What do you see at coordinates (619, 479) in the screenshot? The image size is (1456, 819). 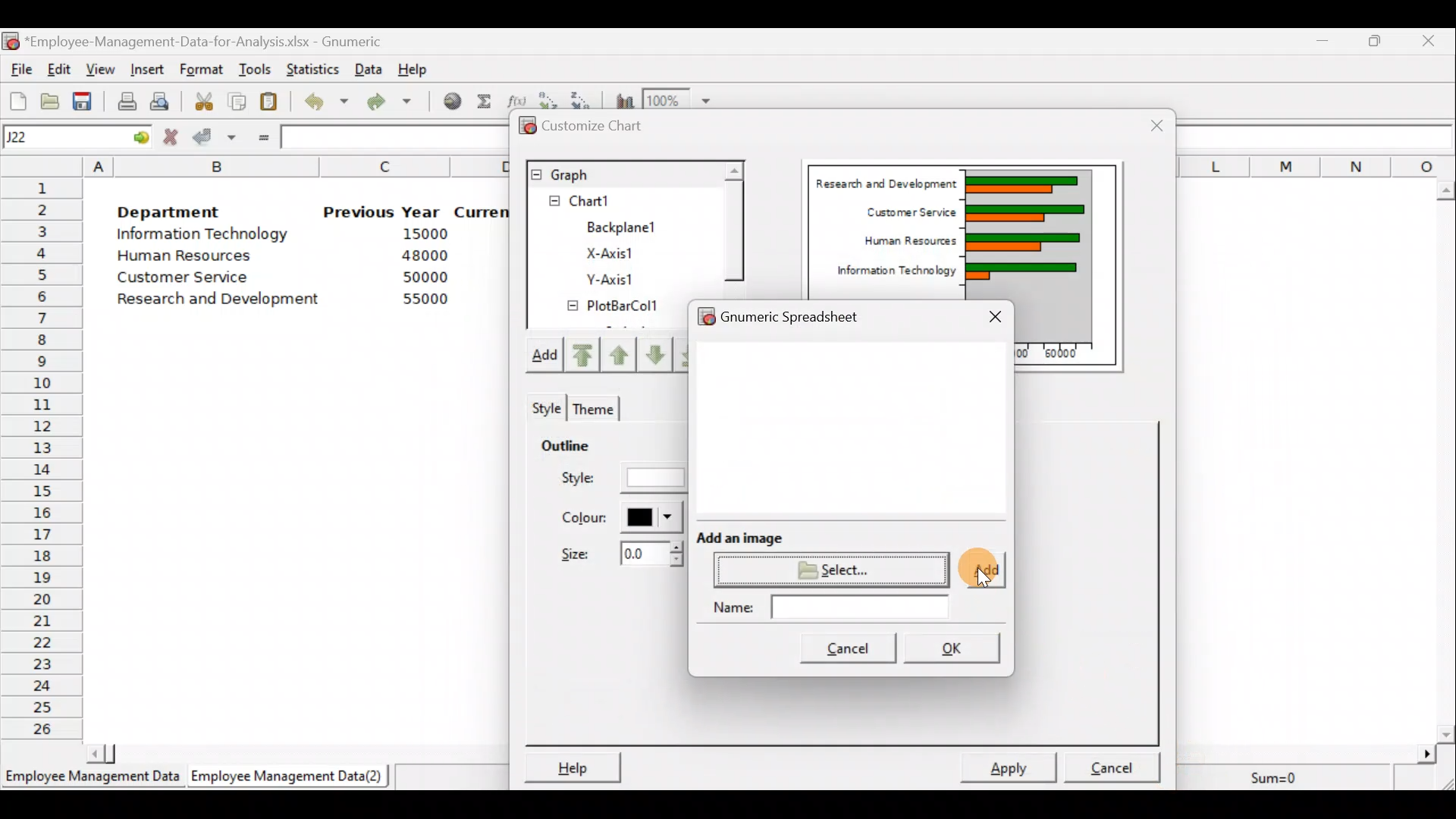 I see `Style` at bounding box center [619, 479].